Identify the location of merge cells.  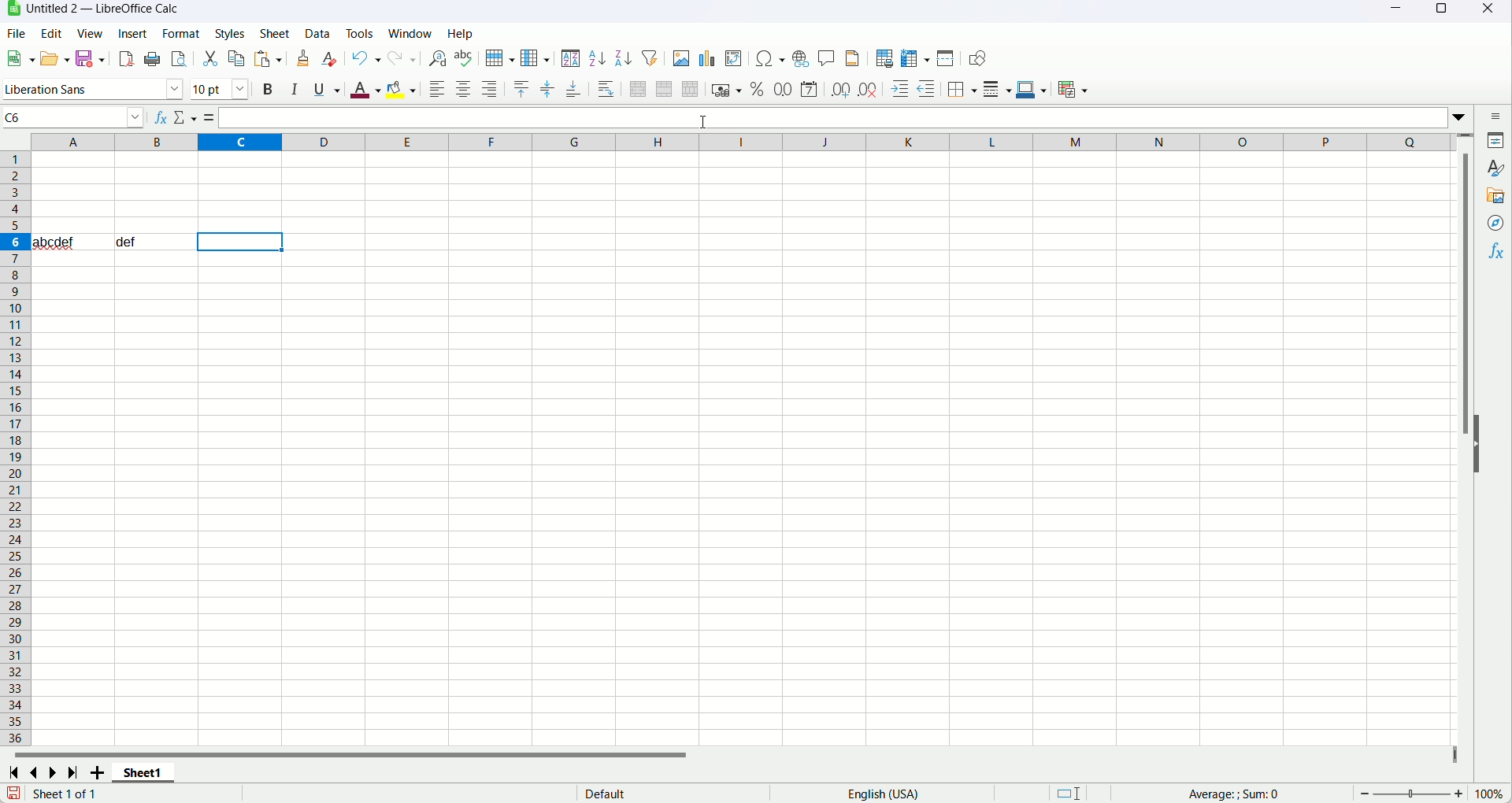
(663, 88).